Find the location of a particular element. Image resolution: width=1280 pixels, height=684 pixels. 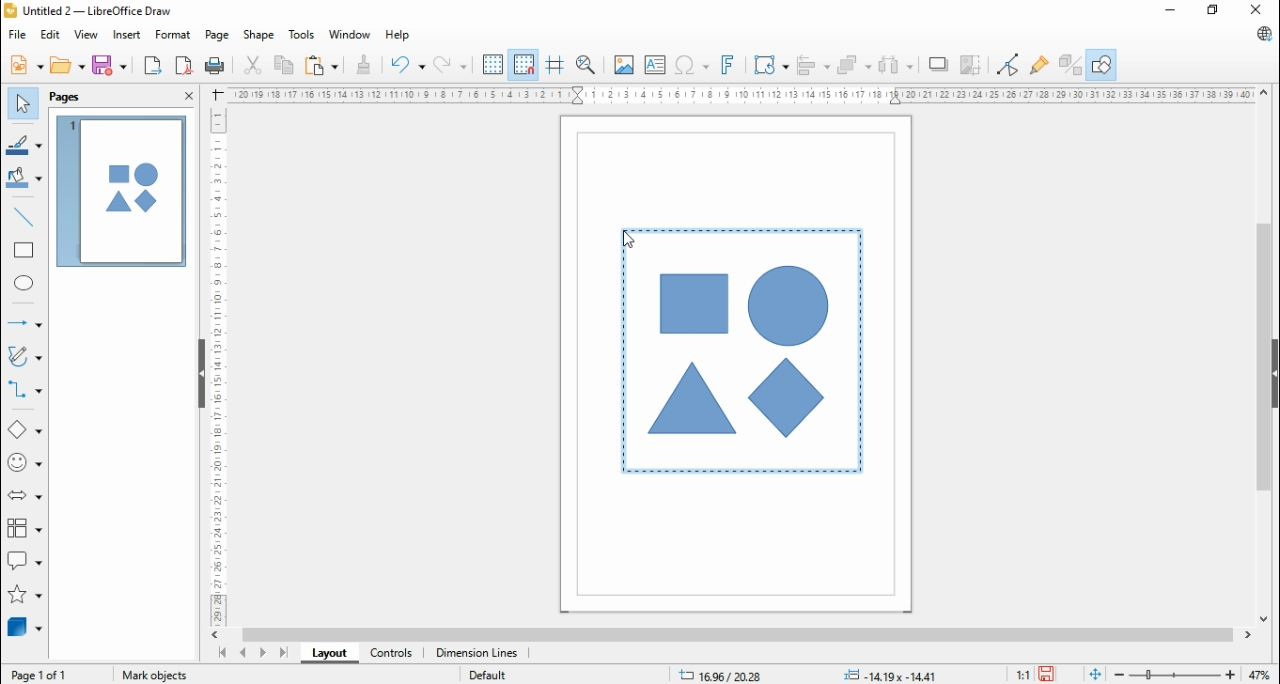

pages is located at coordinates (67, 97).